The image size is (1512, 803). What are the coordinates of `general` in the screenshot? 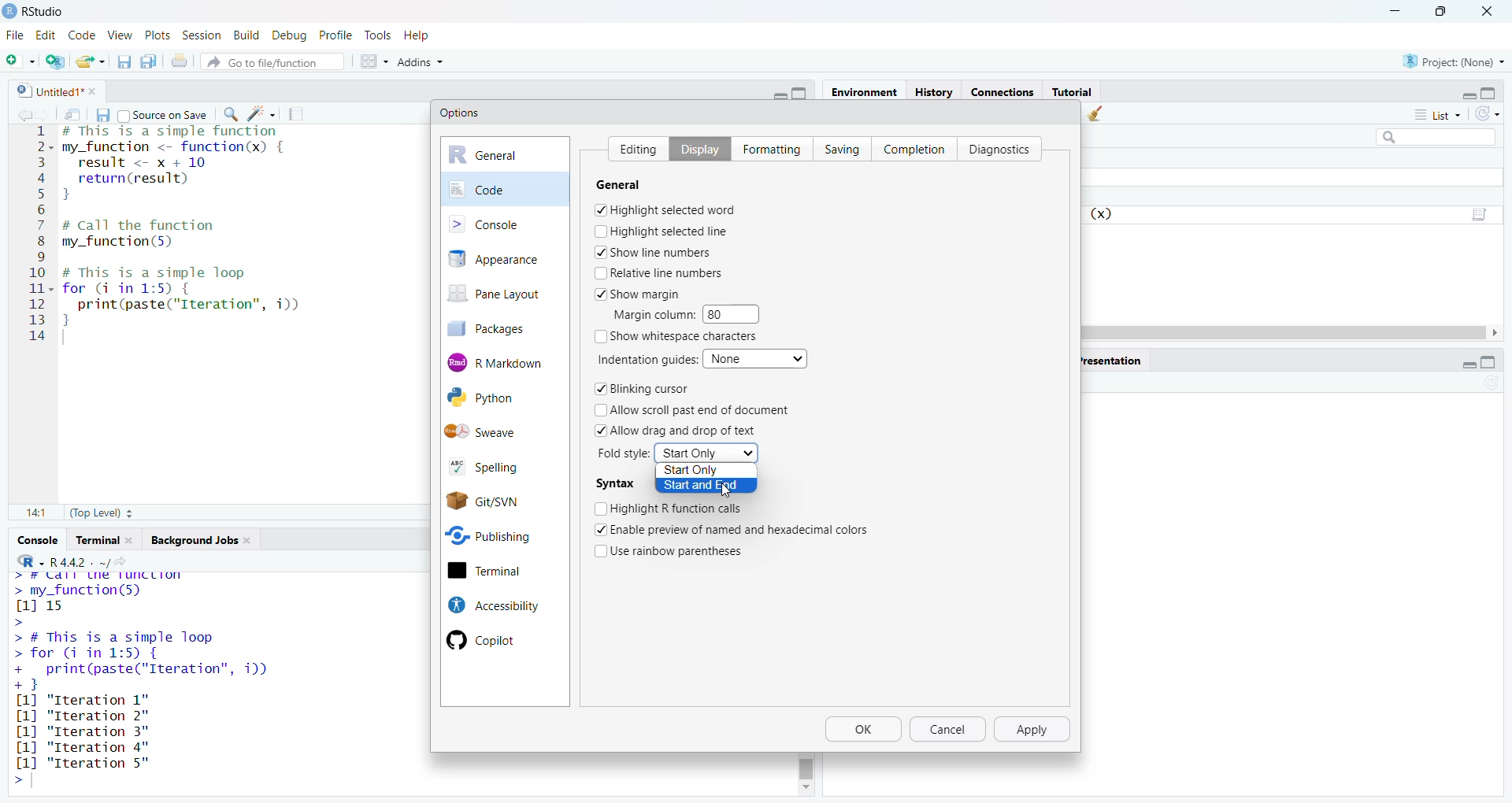 It's located at (506, 155).